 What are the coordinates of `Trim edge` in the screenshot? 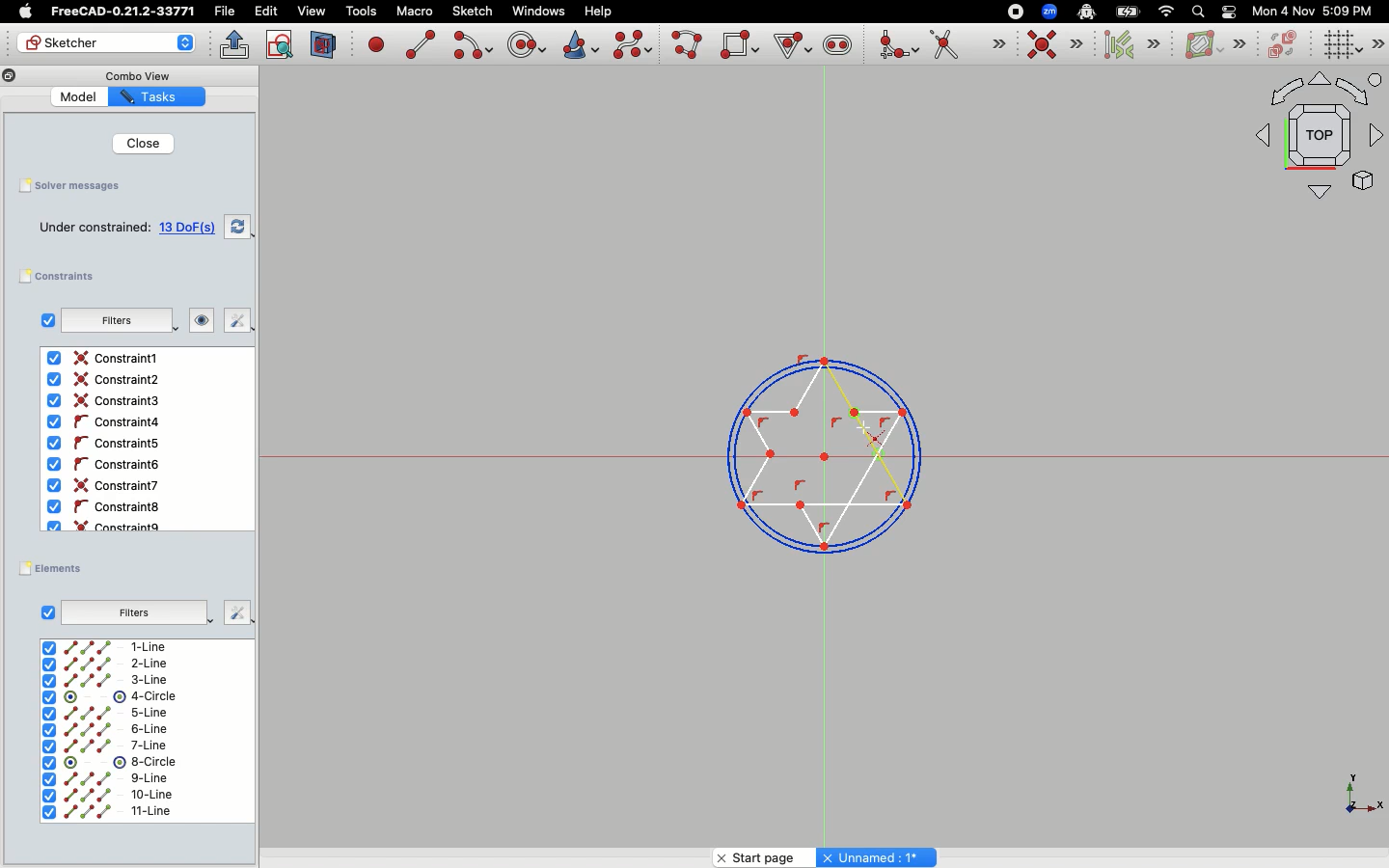 It's located at (967, 46).